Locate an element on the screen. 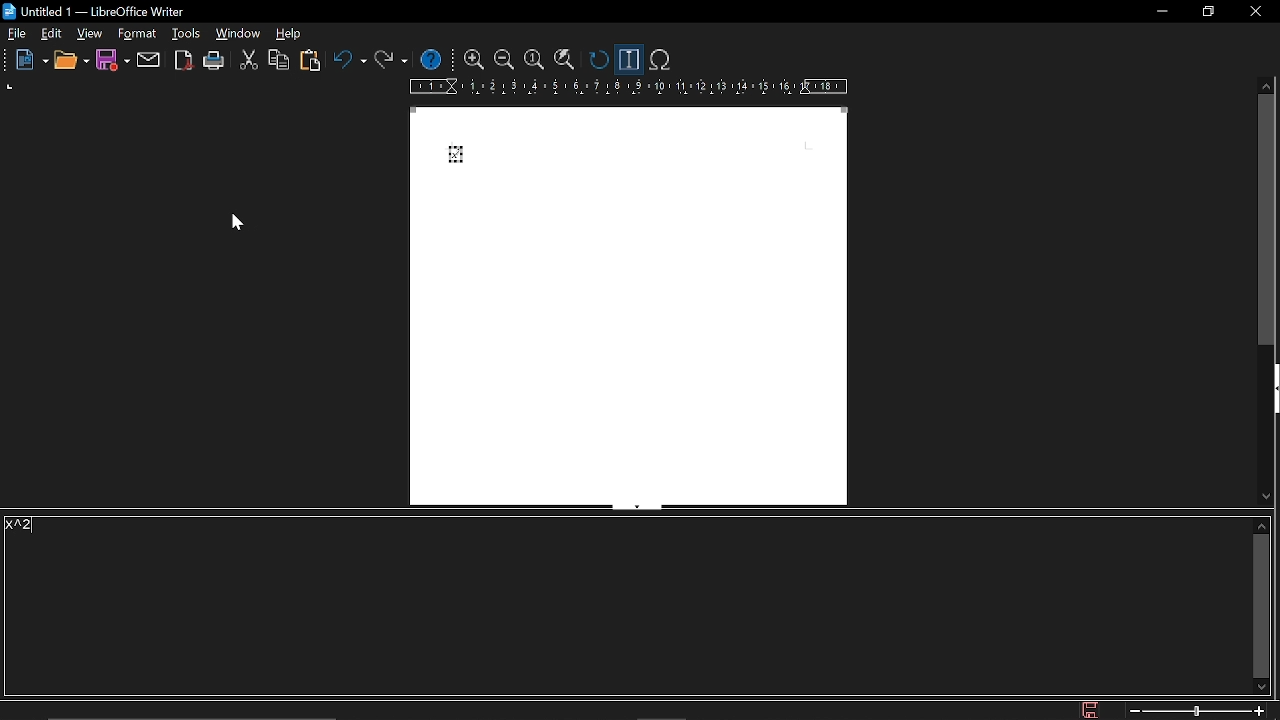 The height and width of the screenshot is (720, 1280). Untitled 1 - LibreOffice Writer is located at coordinates (119, 10).